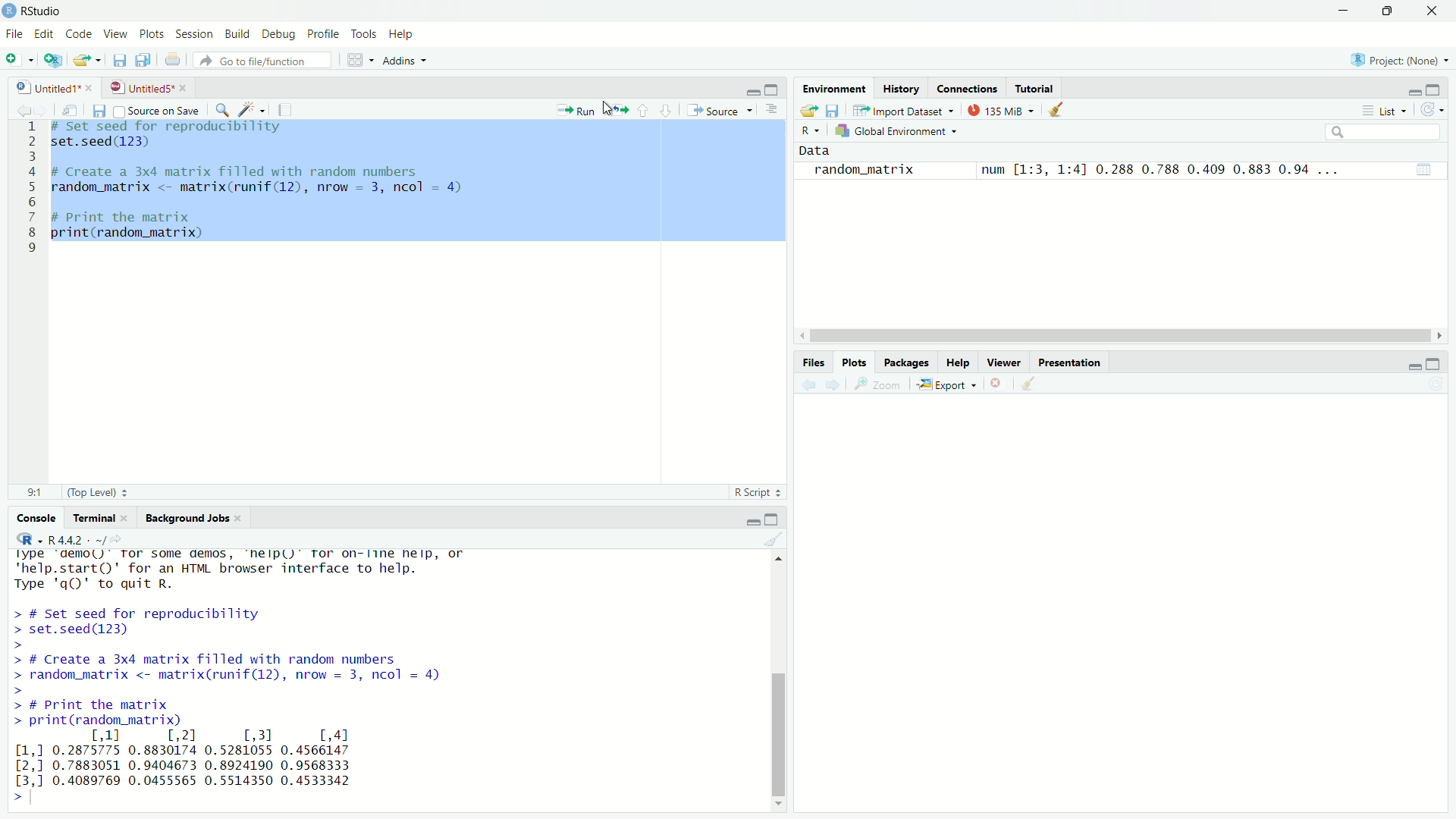 This screenshot has height=819, width=1456. Describe the element at coordinates (1114, 334) in the screenshot. I see `scroll bar` at that location.